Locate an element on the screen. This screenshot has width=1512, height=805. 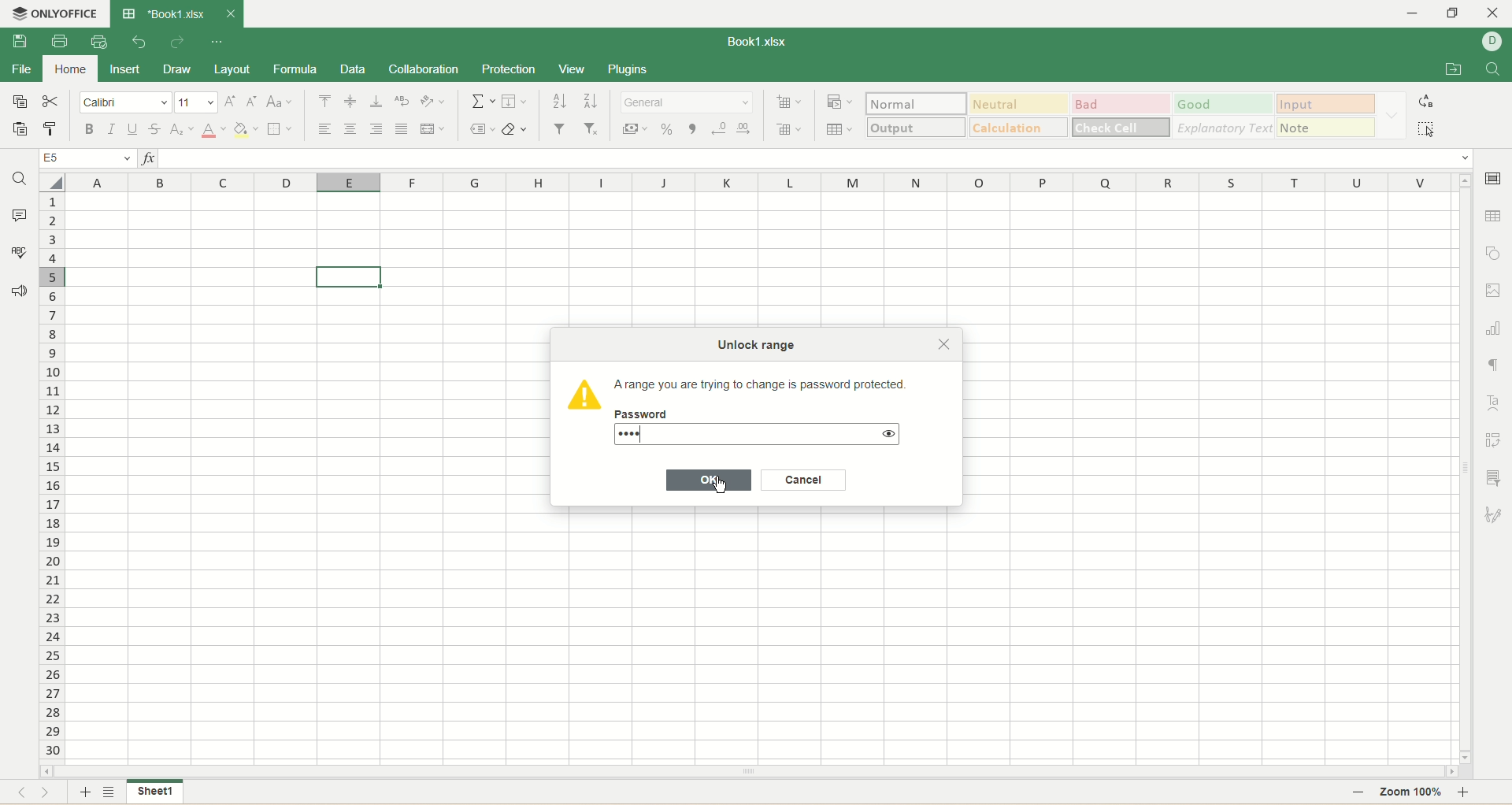
underline is located at coordinates (132, 129).